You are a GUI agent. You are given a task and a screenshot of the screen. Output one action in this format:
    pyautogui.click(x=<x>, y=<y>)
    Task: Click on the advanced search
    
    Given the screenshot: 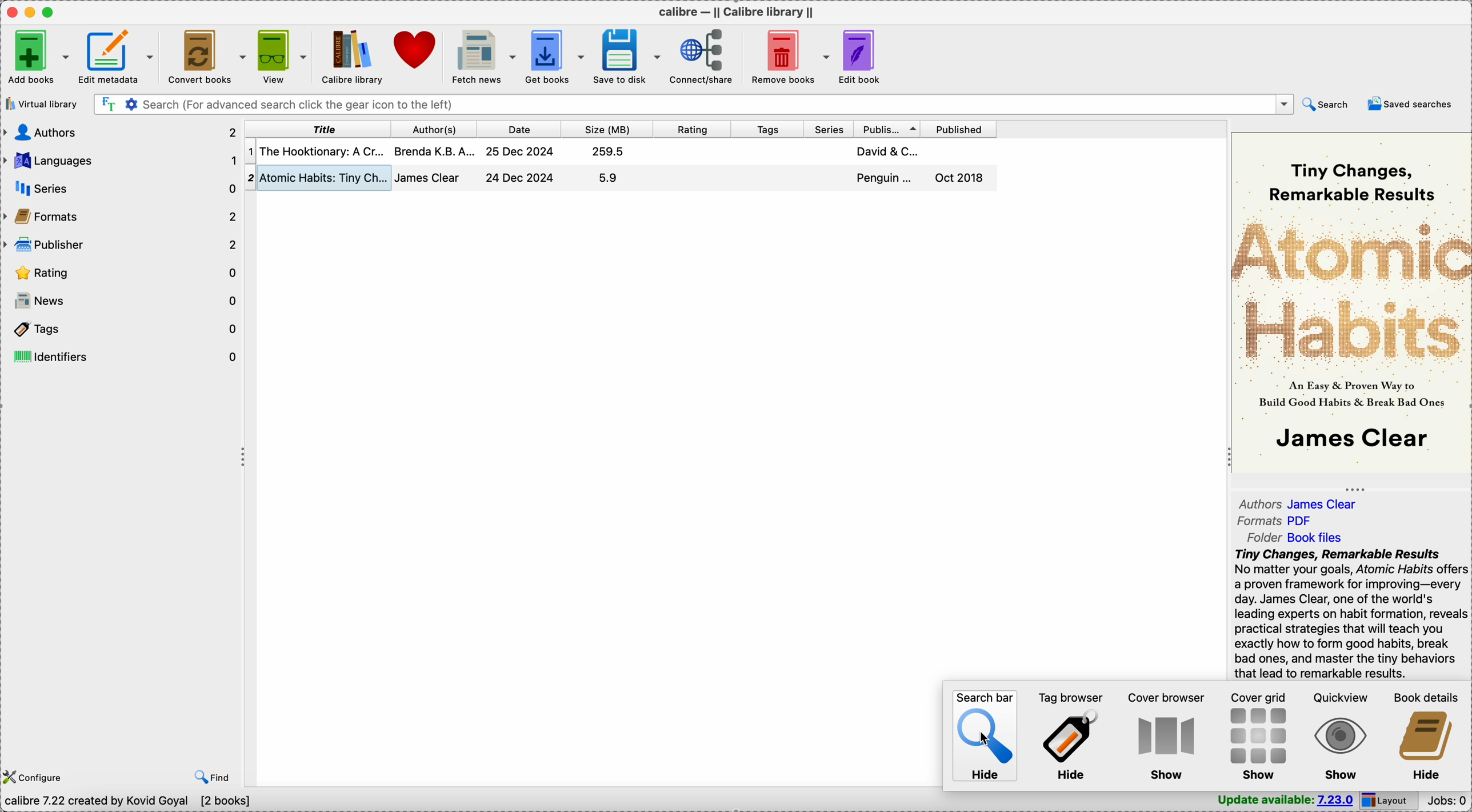 What is the action you would take?
    pyautogui.click(x=130, y=105)
    